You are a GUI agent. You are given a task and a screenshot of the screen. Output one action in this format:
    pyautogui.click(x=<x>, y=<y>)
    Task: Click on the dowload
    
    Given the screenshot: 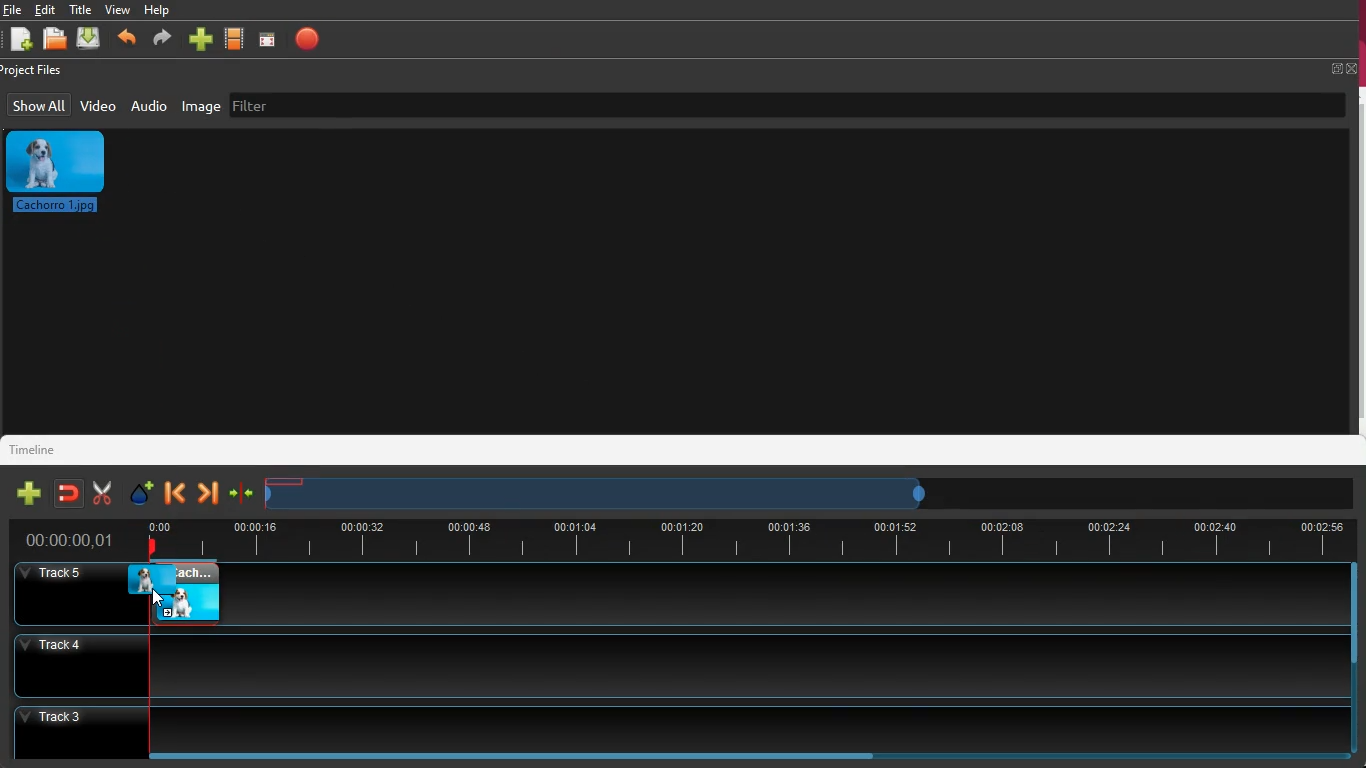 What is the action you would take?
    pyautogui.click(x=92, y=40)
    